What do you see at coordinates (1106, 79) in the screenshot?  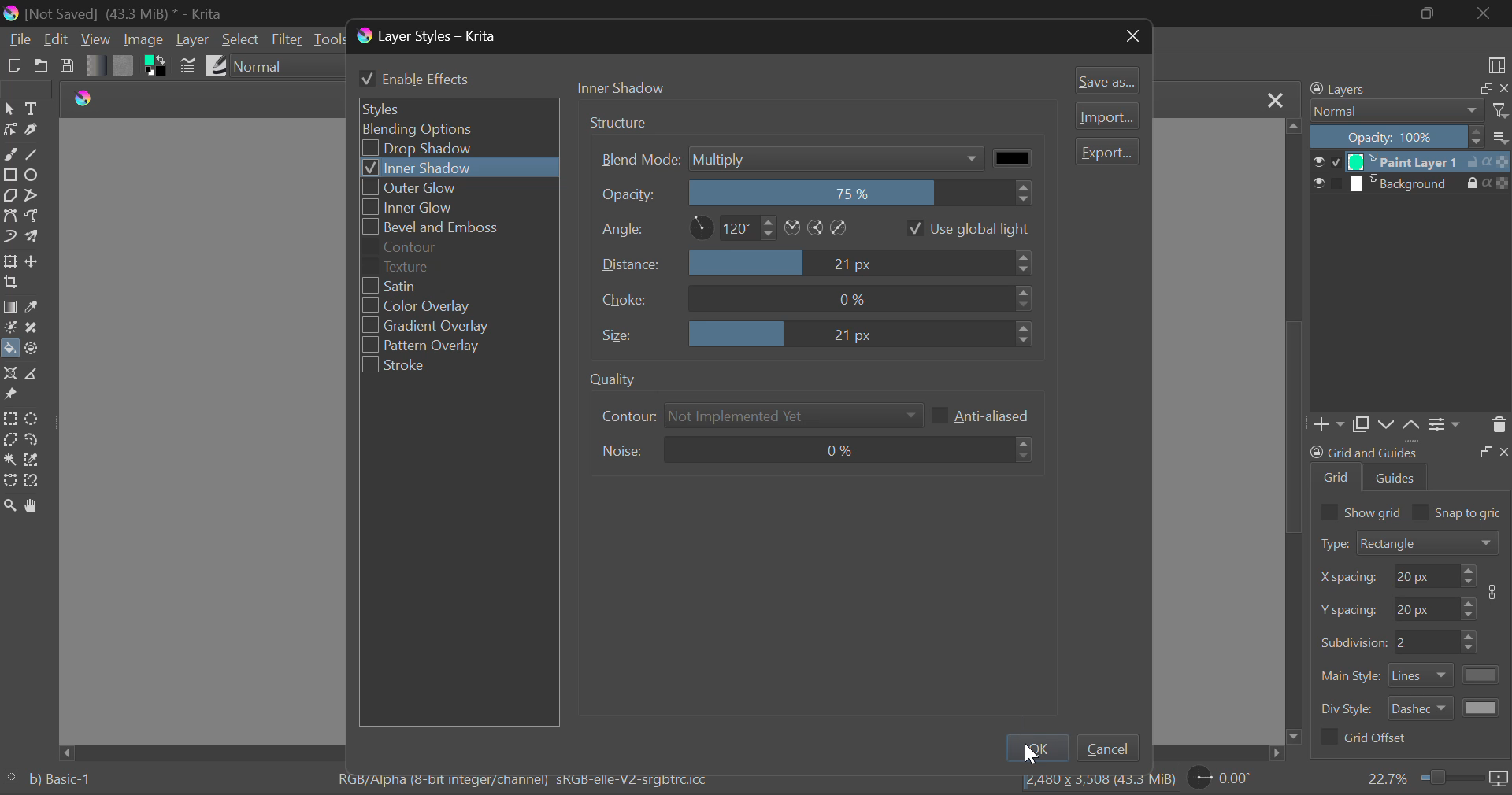 I see `Save as` at bounding box center [1106, 79].